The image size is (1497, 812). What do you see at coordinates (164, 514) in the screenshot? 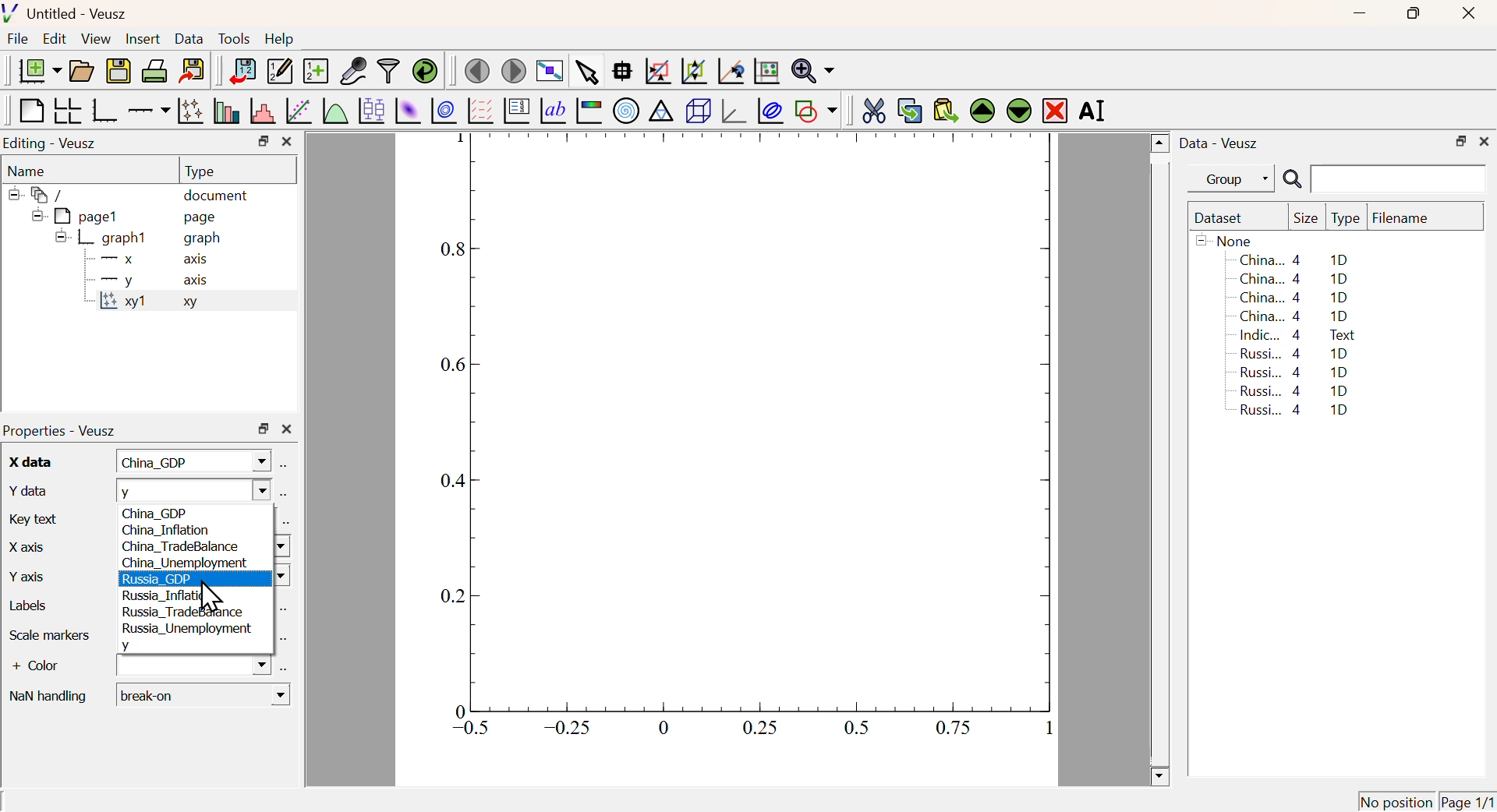
I see `China_GDP` at bounding box center [164, 514].